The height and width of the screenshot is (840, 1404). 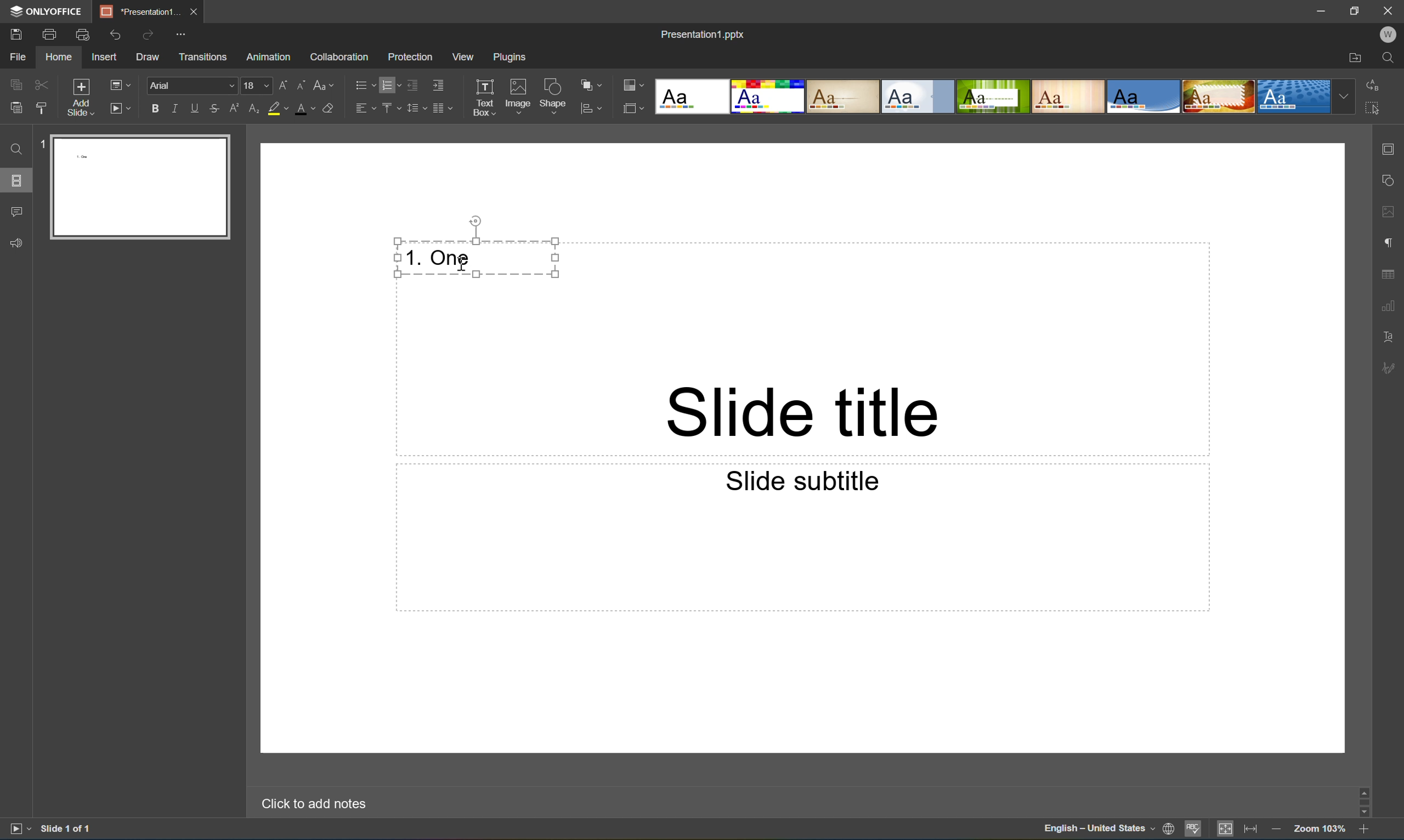 I want to click on Fit to width, so click(x=1251, y=830).